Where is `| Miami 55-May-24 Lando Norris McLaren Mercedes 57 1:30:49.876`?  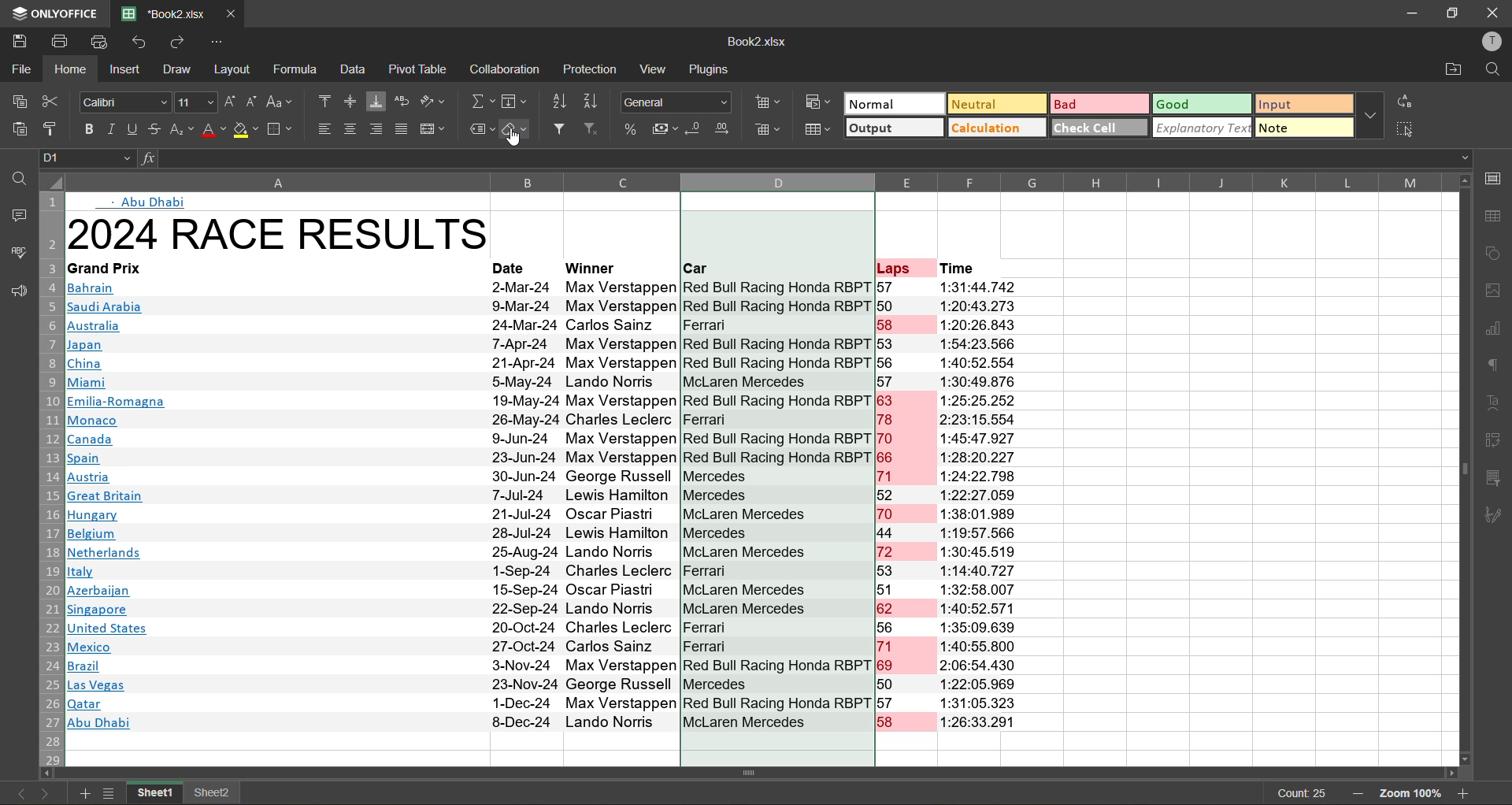 | Miami 55-May-24 Lando Norris McLaren Mercedes 57 1:30:49.876 is located at coordinates (549, 382).